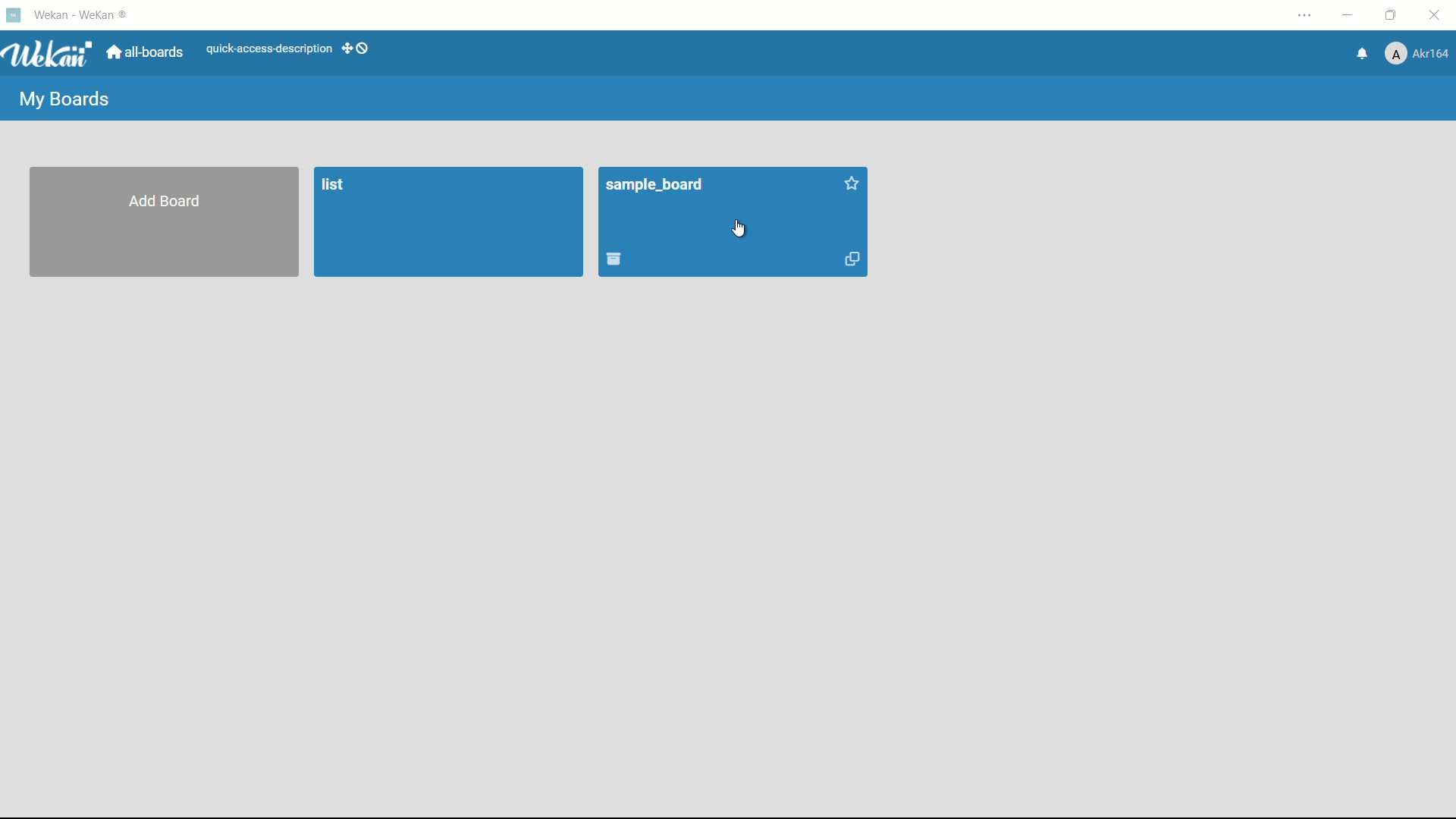 The image size is (1456, 819). I want to click on quick-access-description, so click(267, 48).